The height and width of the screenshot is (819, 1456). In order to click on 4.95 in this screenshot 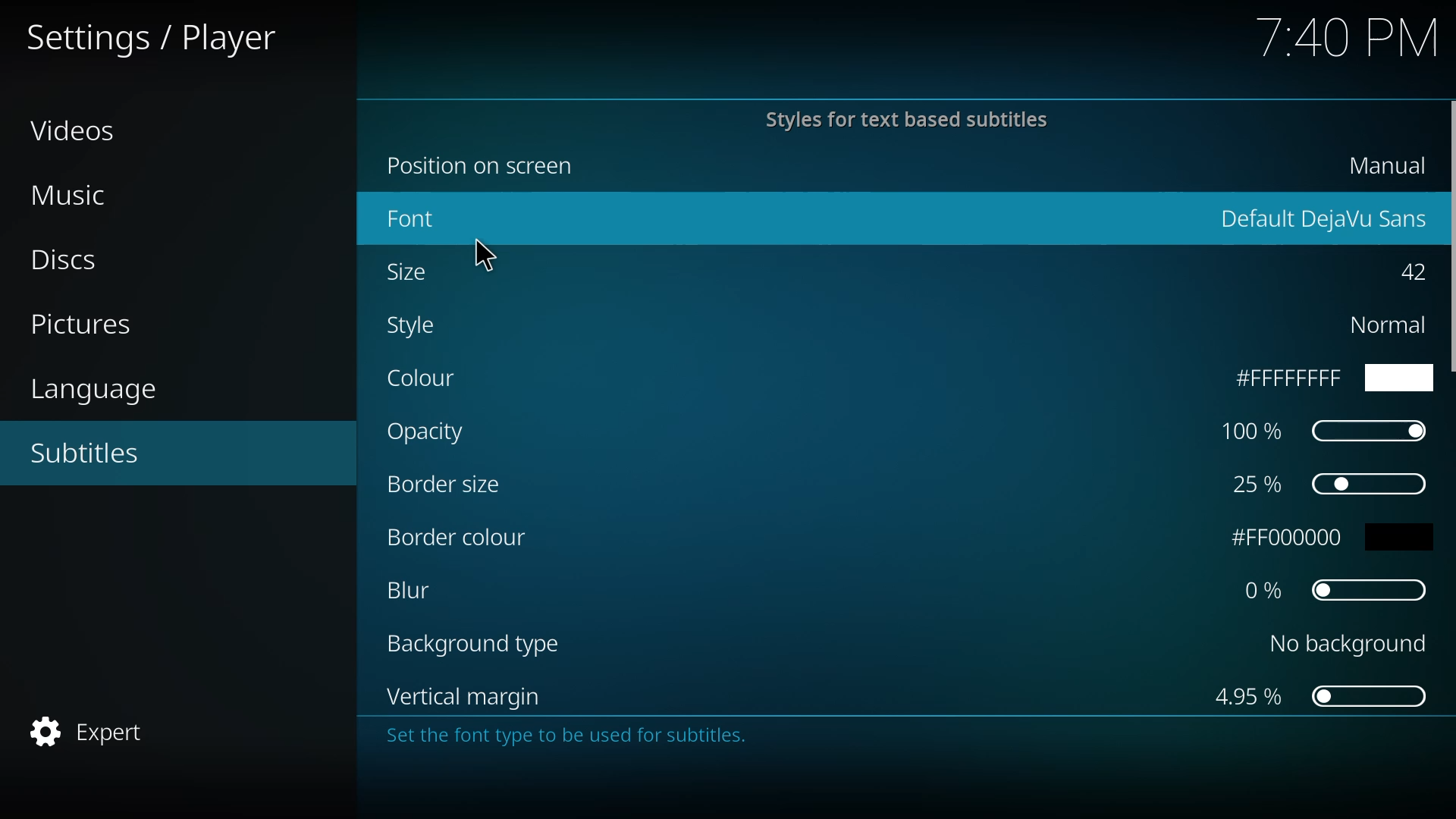, I will do `click(1317, 696)`.